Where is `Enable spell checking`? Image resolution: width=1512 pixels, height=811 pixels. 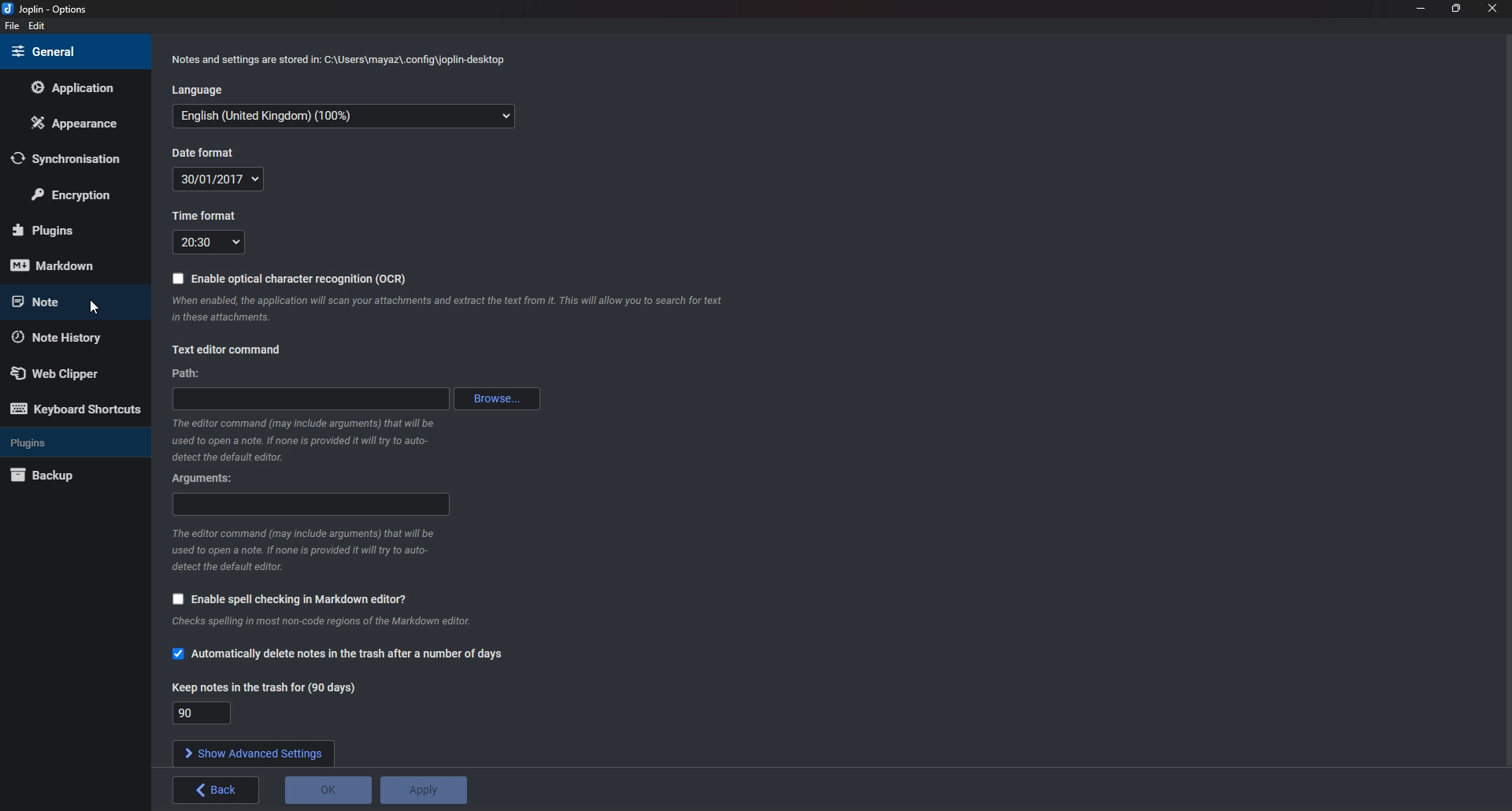 Enable spell checking is located at coordinates (291, 600).